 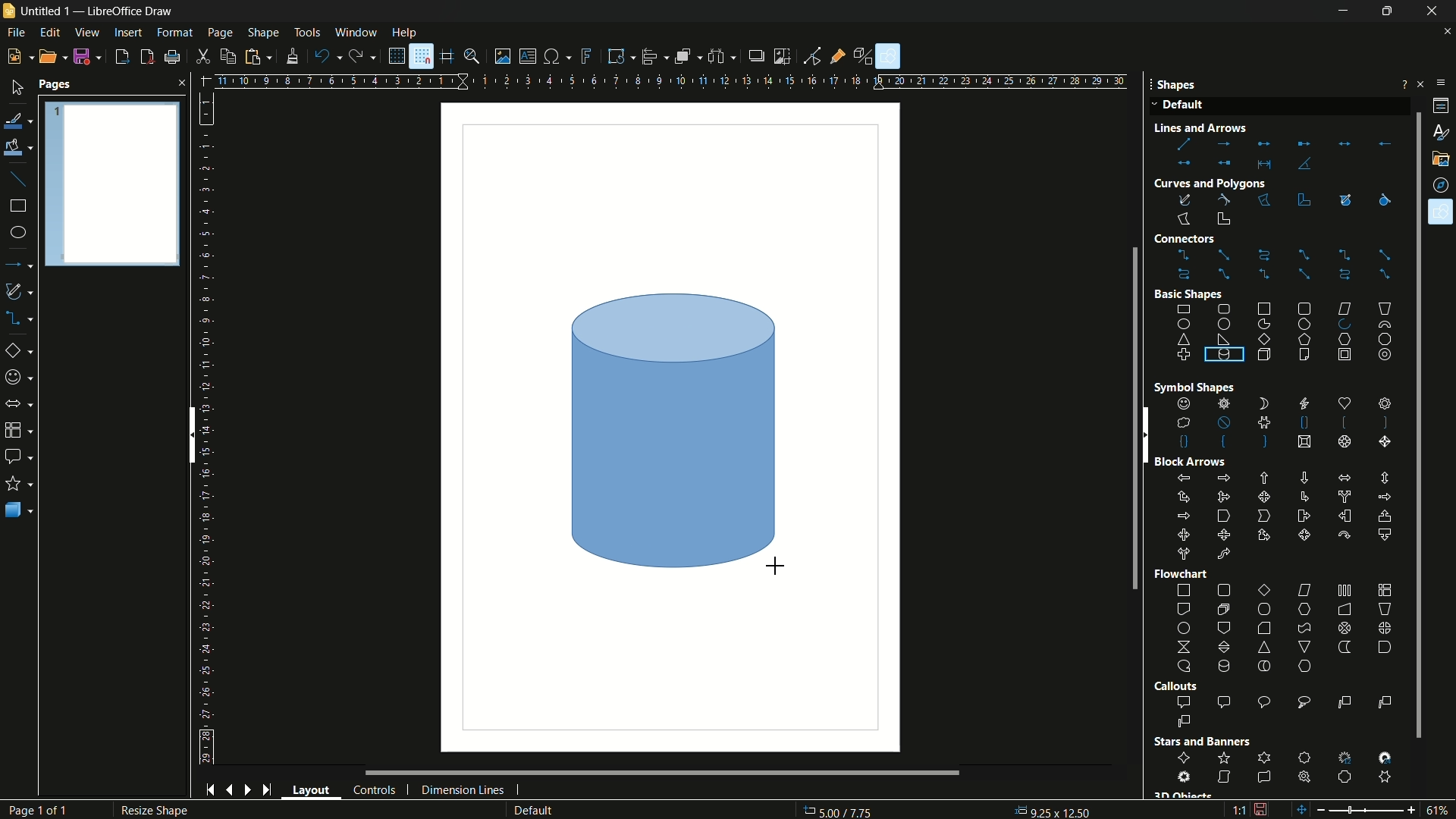 I want to click on pages, so click(x=55, y=85).